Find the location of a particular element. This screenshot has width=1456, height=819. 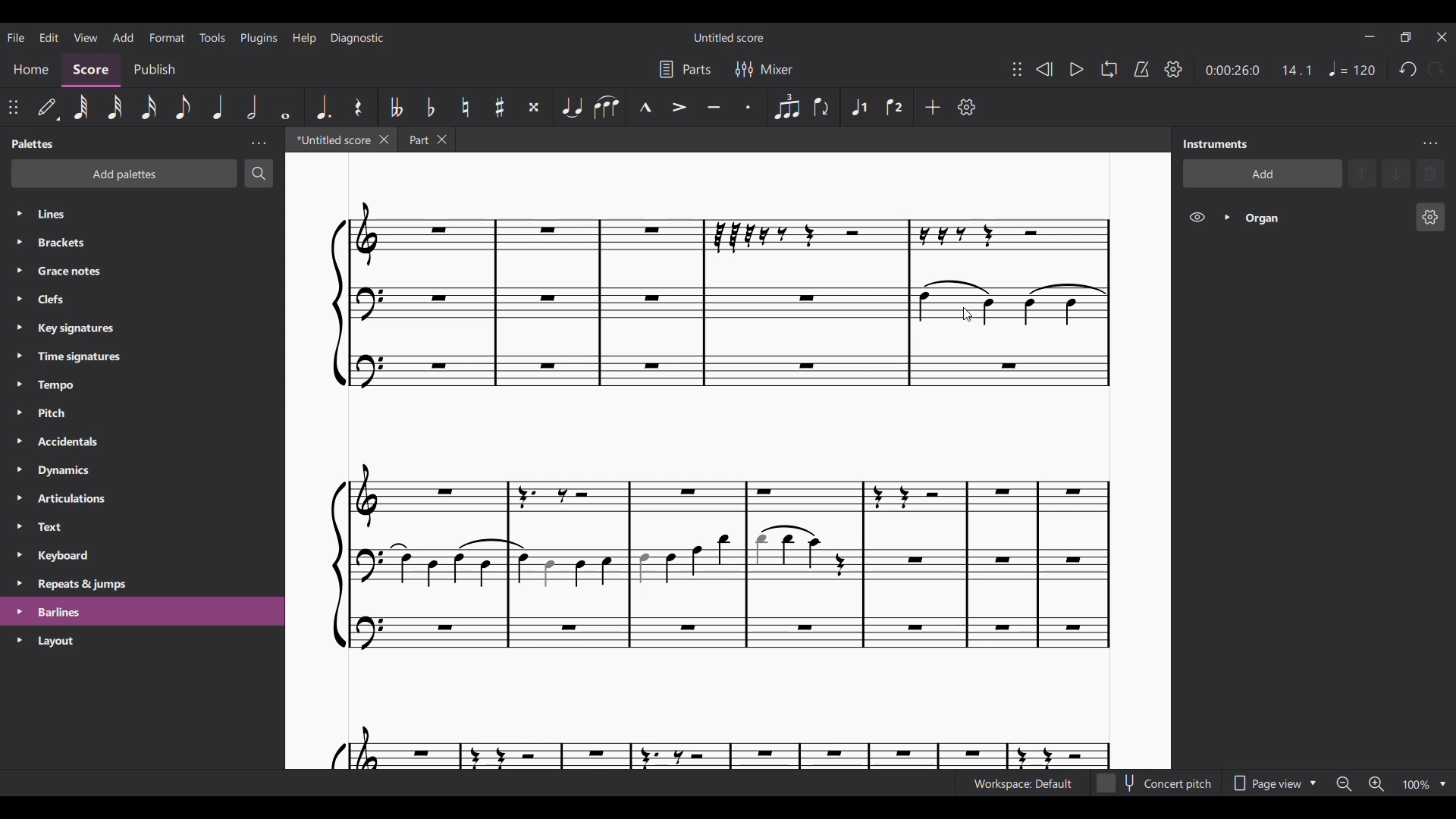

Customize toolbar is located at coordinates (967, 106).